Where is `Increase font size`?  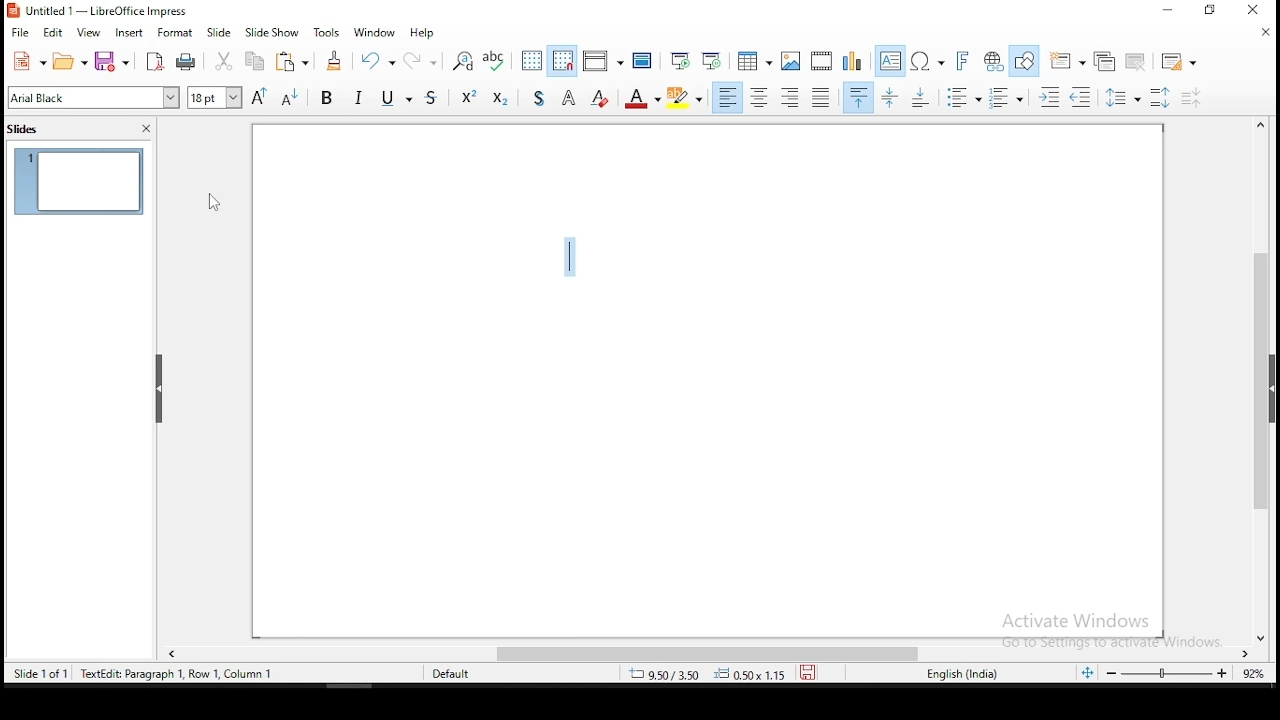
Increase font size is located at coordinates (258, 97).